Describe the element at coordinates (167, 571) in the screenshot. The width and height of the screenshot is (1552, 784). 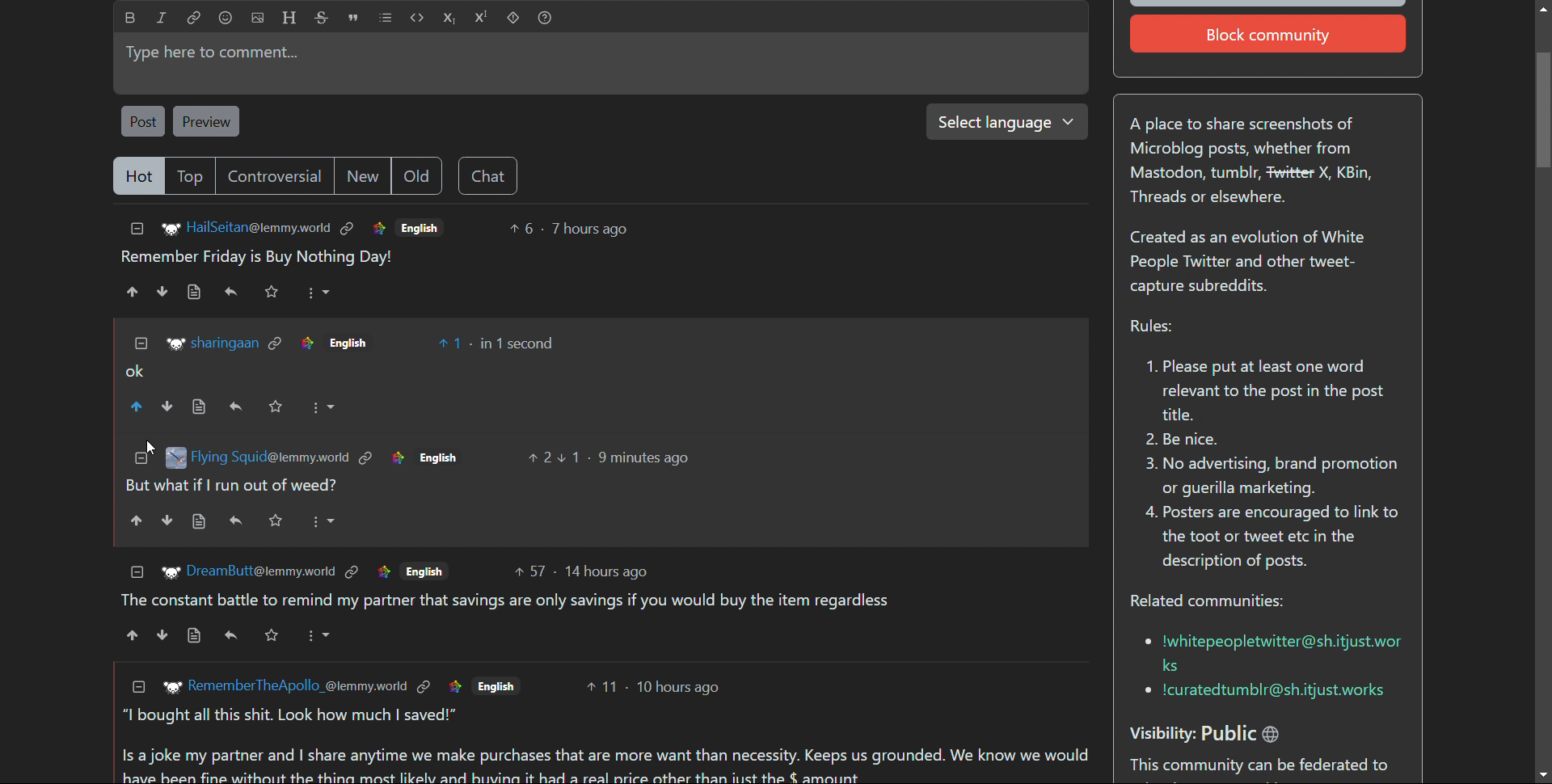
I see `image` at that location.